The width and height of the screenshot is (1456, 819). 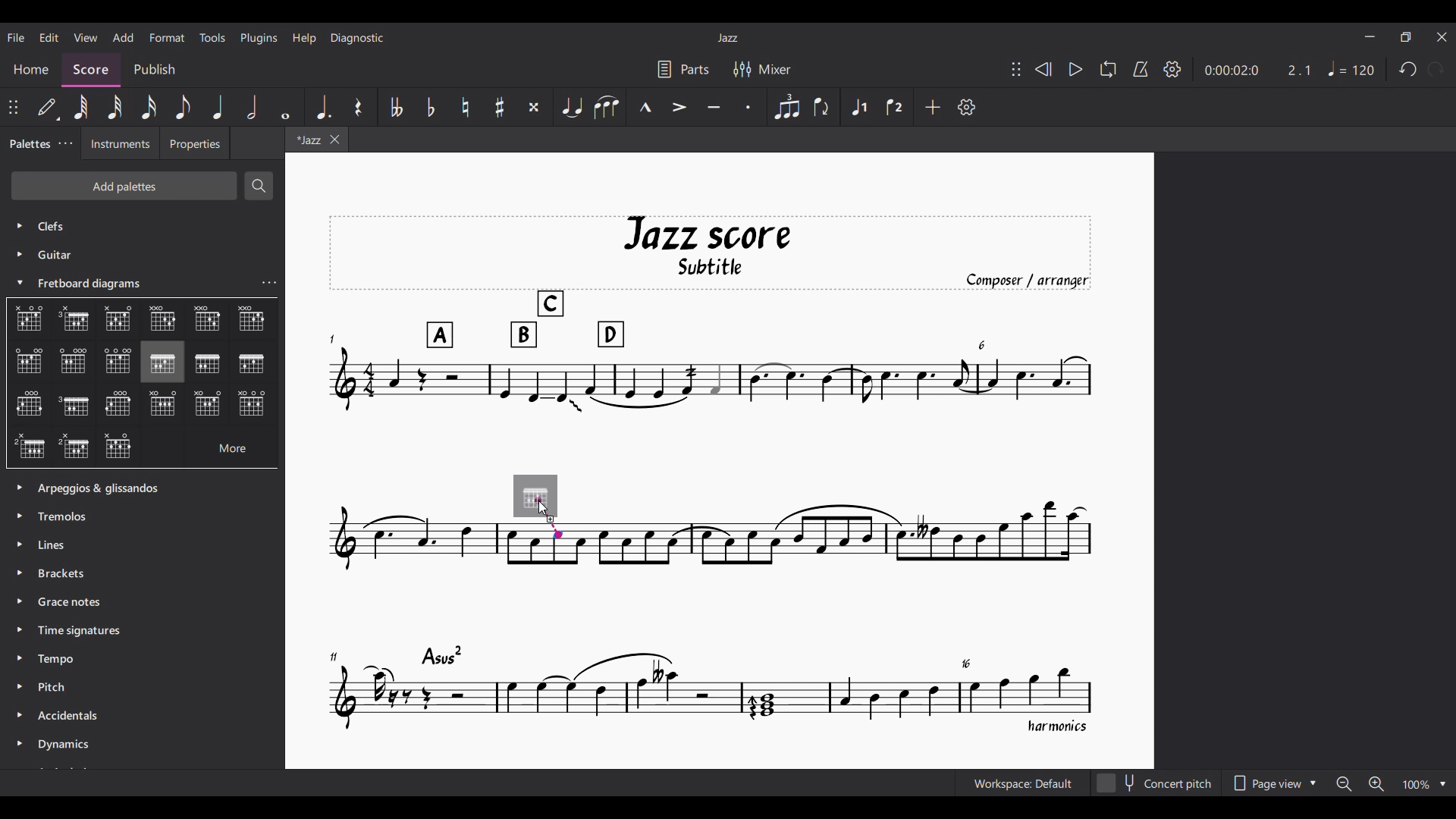 I want to click on Settings, so click(x=1172, y=70).